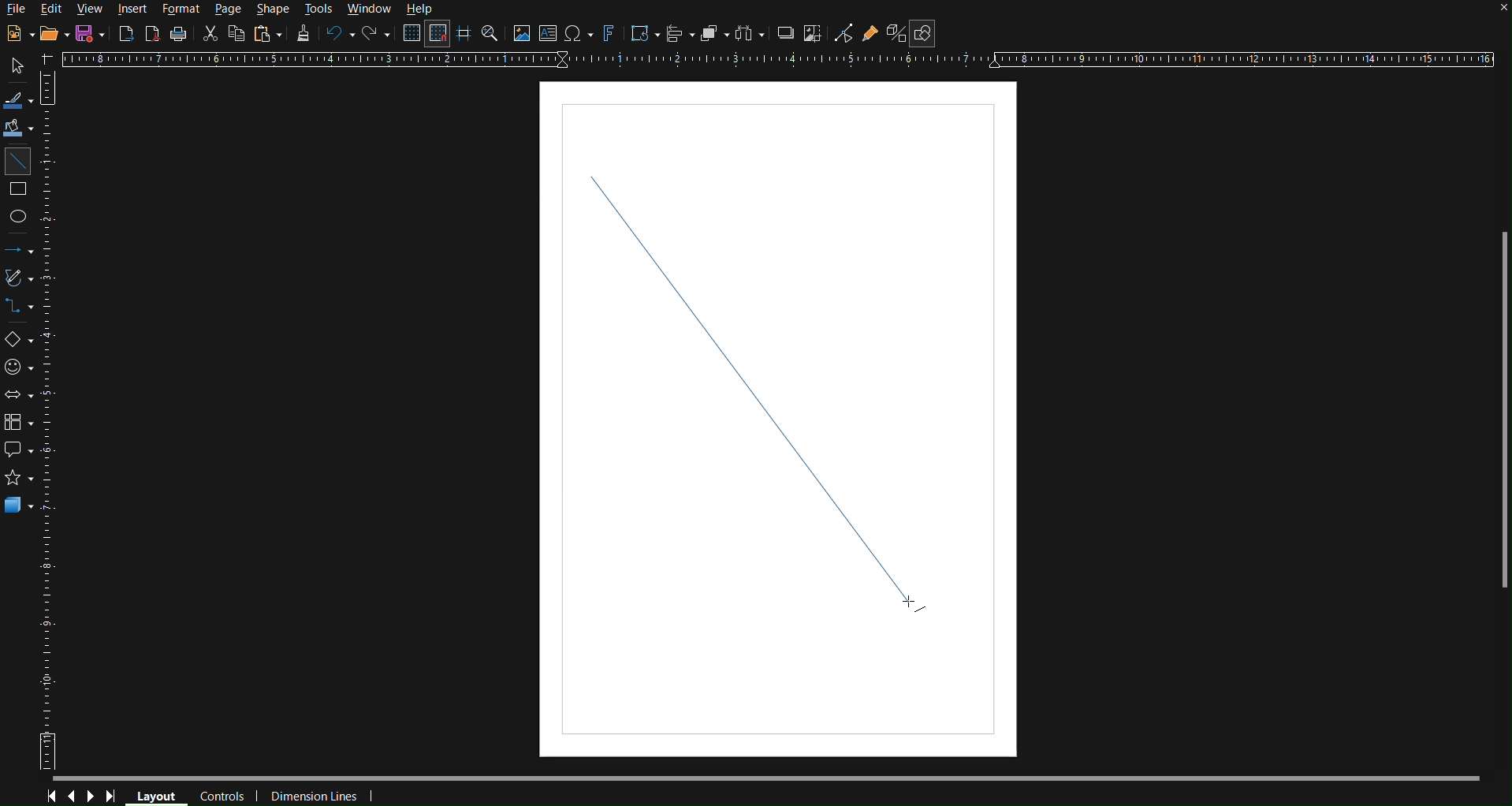 The image size is (1512, 806). I want to click on Formatting, so click(303, 35).